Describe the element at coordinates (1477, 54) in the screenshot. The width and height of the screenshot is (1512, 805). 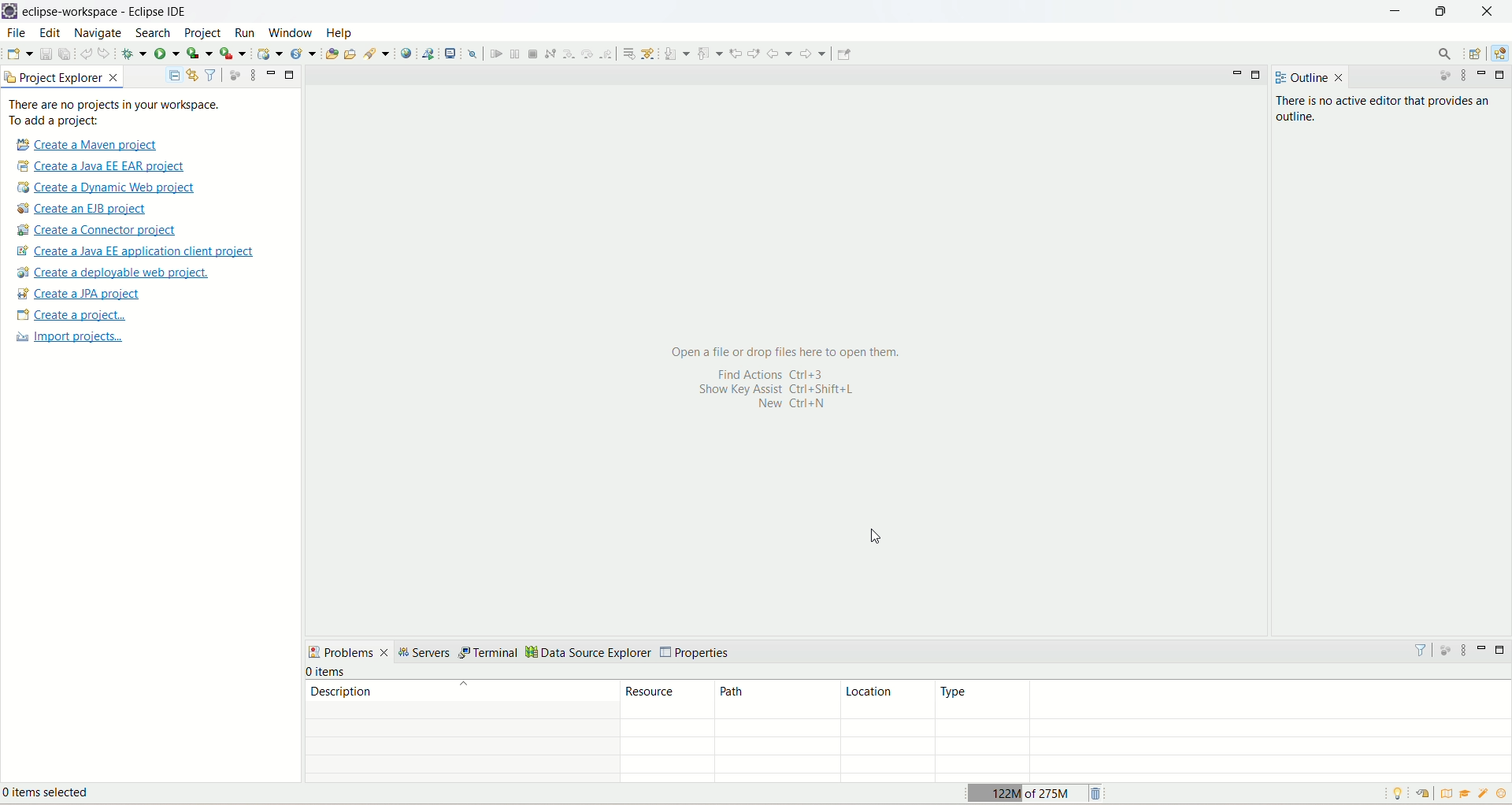
I see `other perspective` at that location.